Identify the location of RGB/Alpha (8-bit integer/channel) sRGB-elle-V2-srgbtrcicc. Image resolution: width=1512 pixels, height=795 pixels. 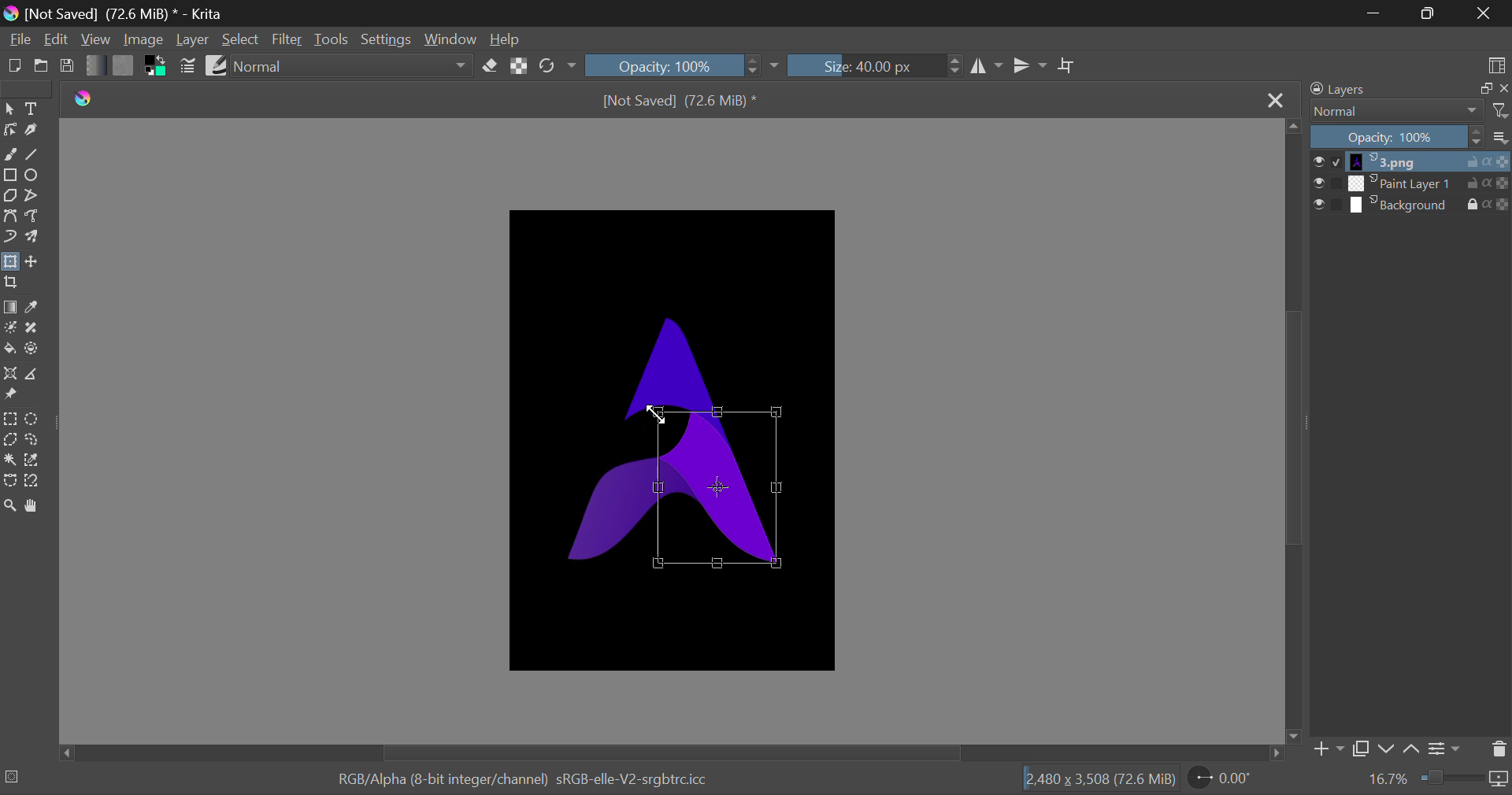
(524, 780).